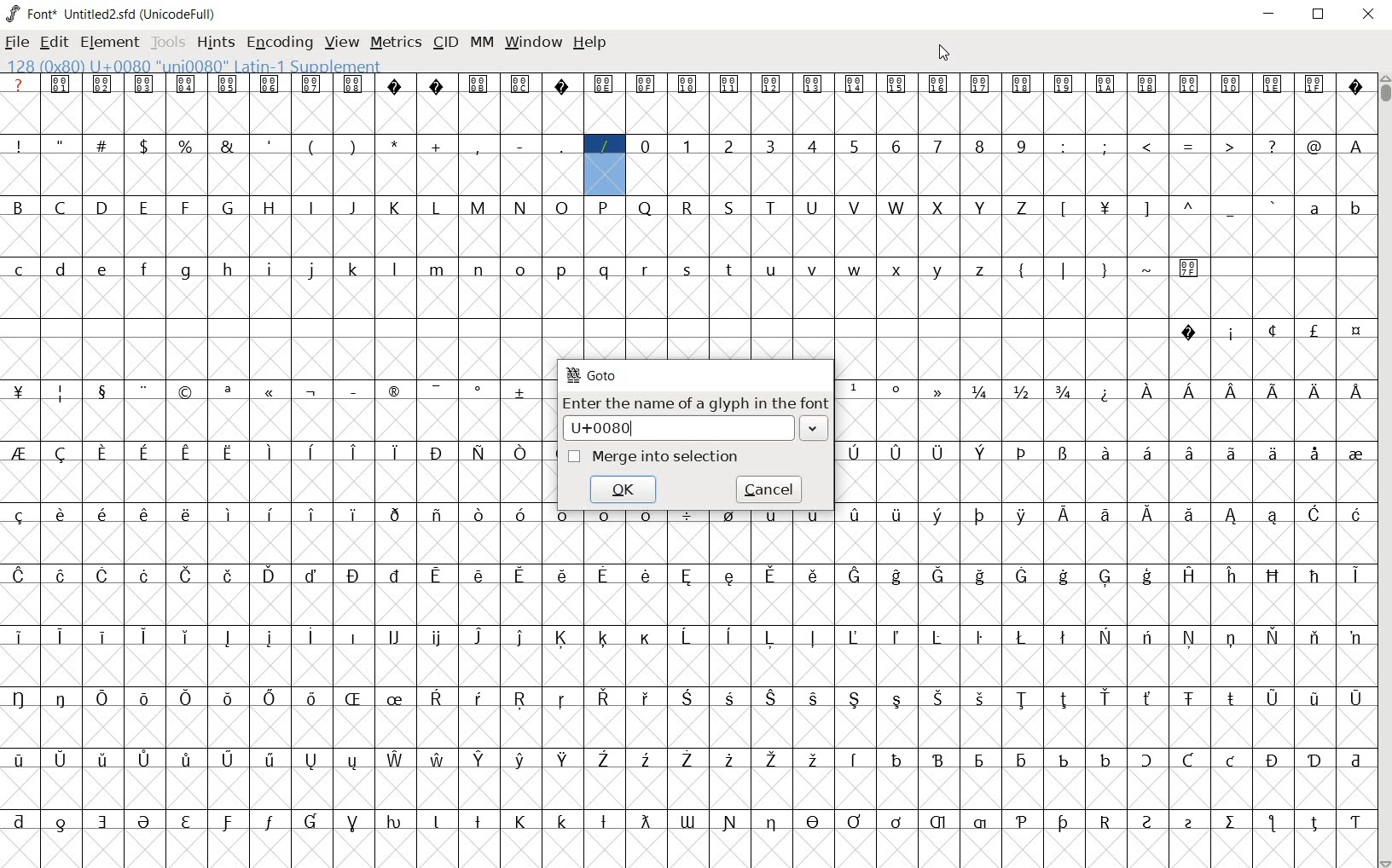 Image resolution: width=1392 pixels, height=868 pixels. Describe the element at coordinates (311, 698) in the screenshot. I see `glyph` at that location.